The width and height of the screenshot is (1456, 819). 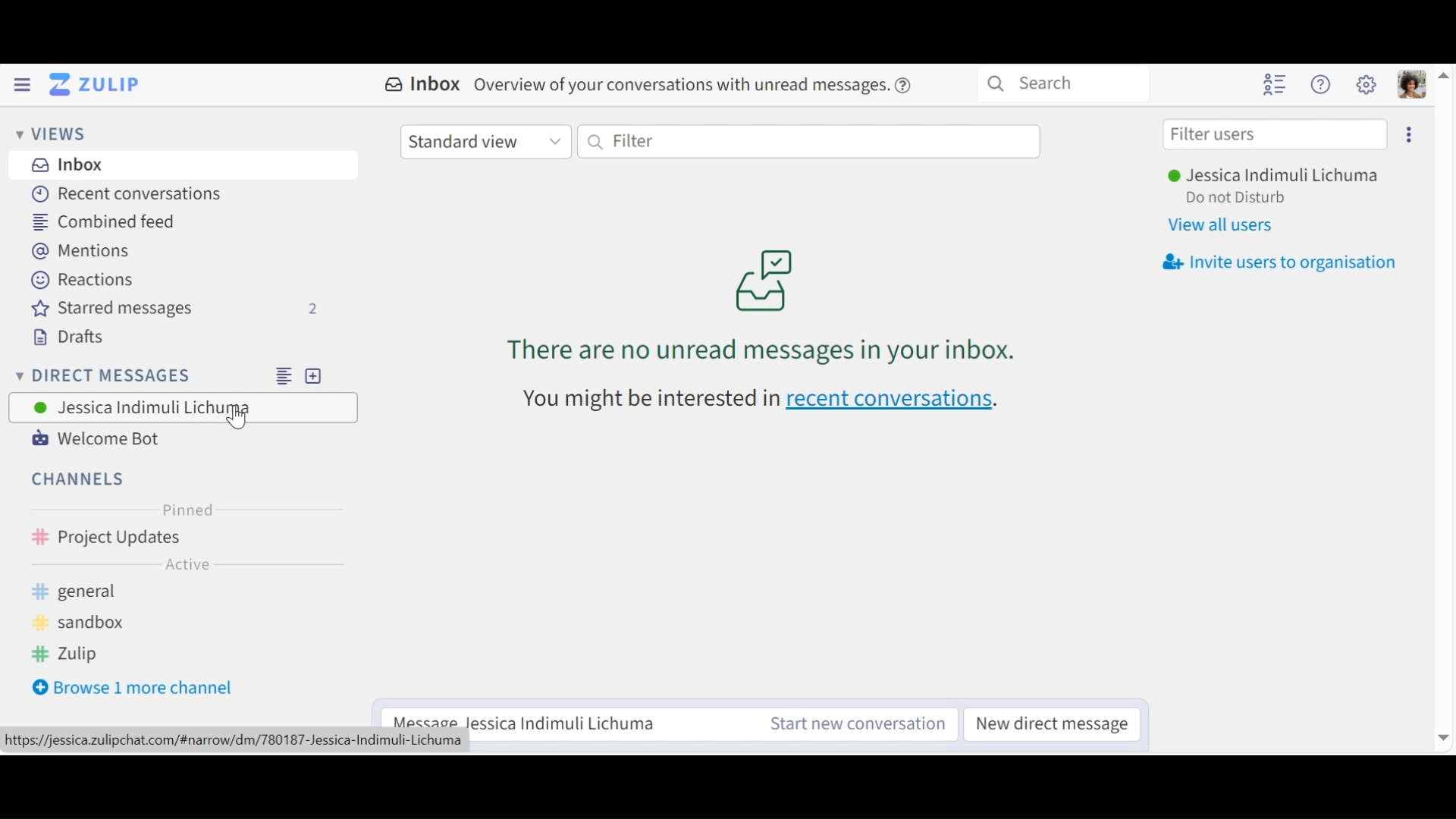 I want to click on Filter by text, so click(x=811, y=141).